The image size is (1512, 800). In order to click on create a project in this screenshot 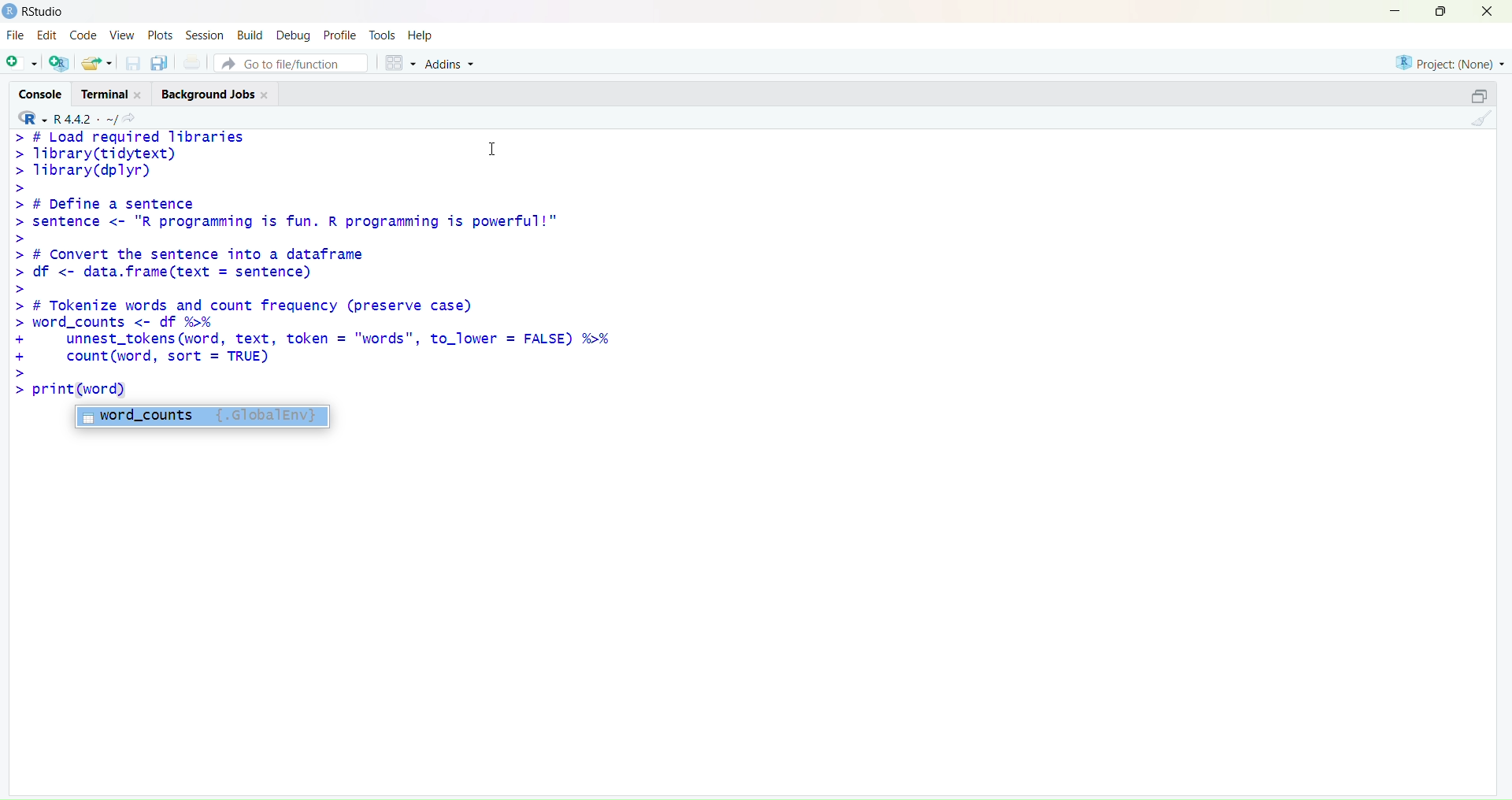, I will do `click(59, 64)`.